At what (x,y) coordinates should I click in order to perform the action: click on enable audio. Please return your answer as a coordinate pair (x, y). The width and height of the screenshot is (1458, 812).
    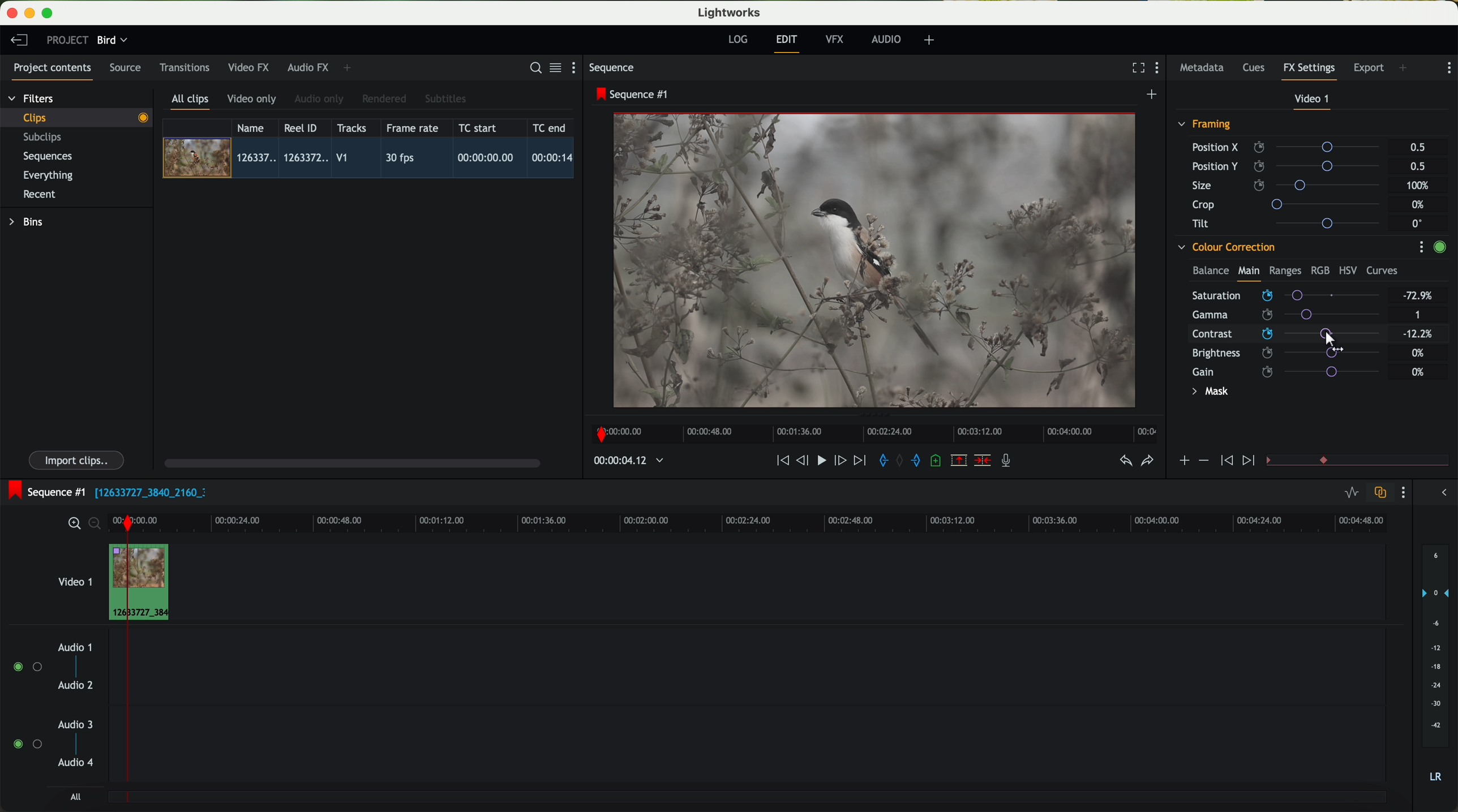
    Looking at the image, I should click on (27, 744).